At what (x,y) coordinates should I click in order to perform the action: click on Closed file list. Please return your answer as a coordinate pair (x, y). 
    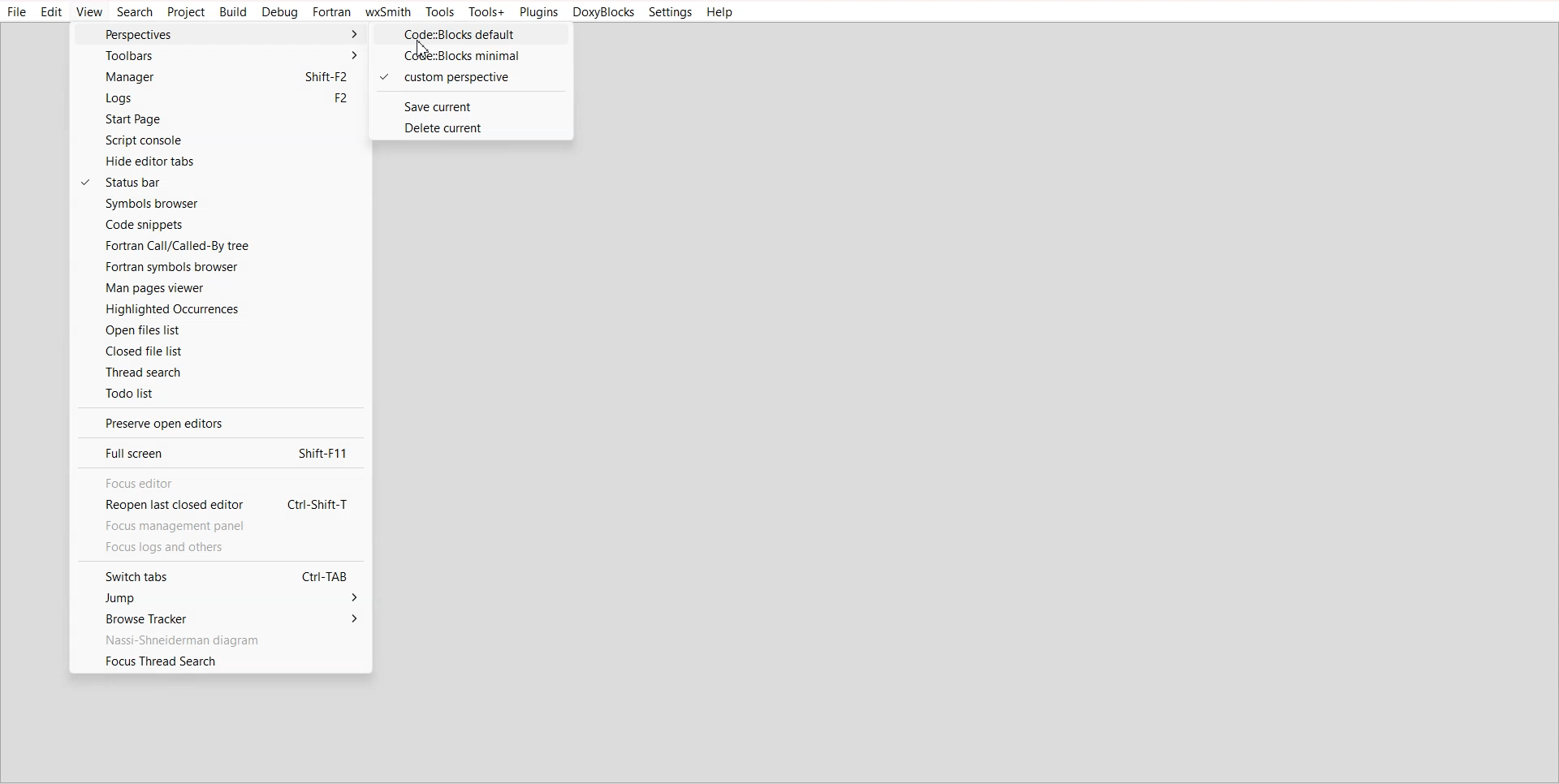
    Looking at the image, I should click on (221, 351).